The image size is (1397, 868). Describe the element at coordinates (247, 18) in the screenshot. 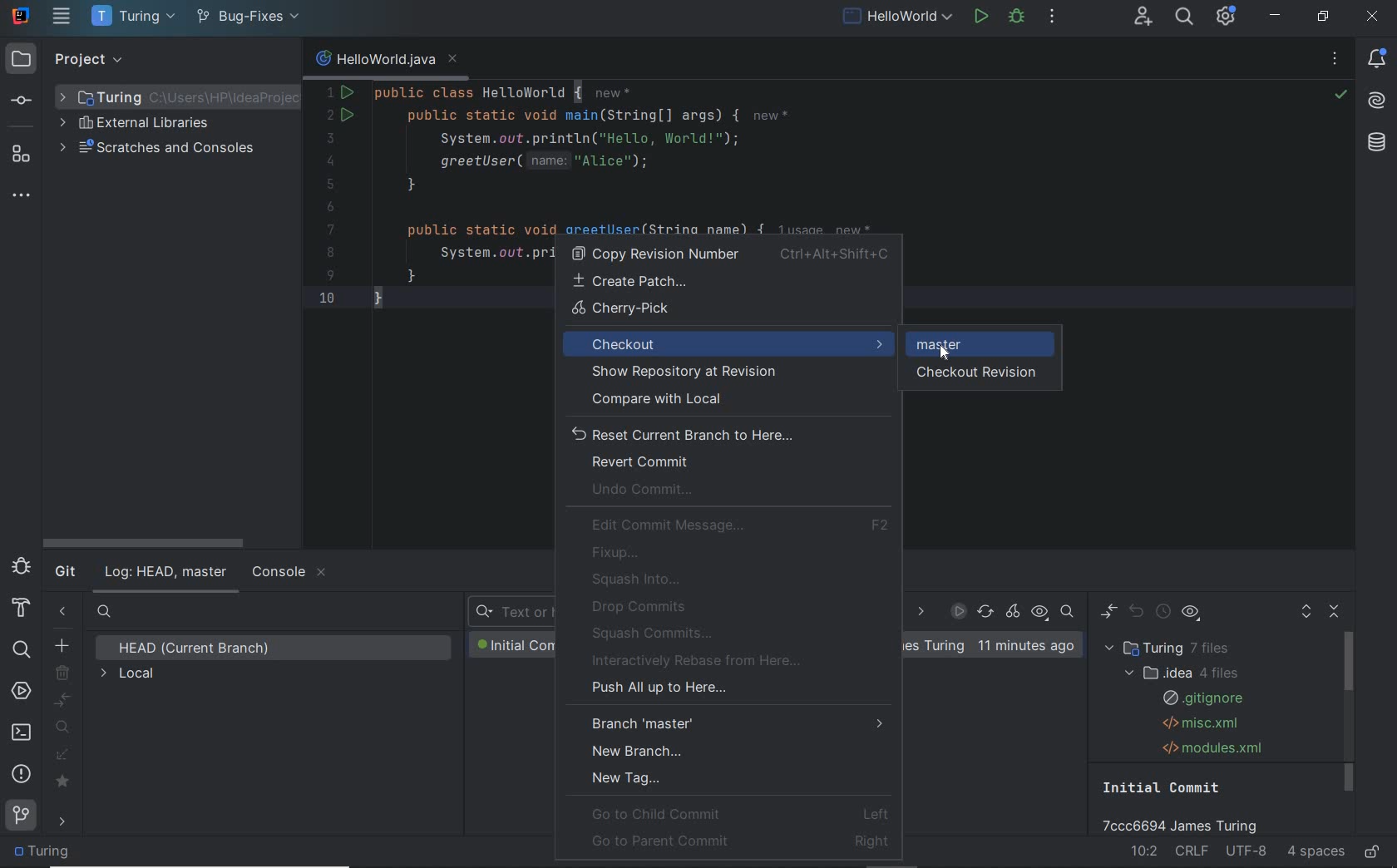

I see `bug-fixes` at that location.